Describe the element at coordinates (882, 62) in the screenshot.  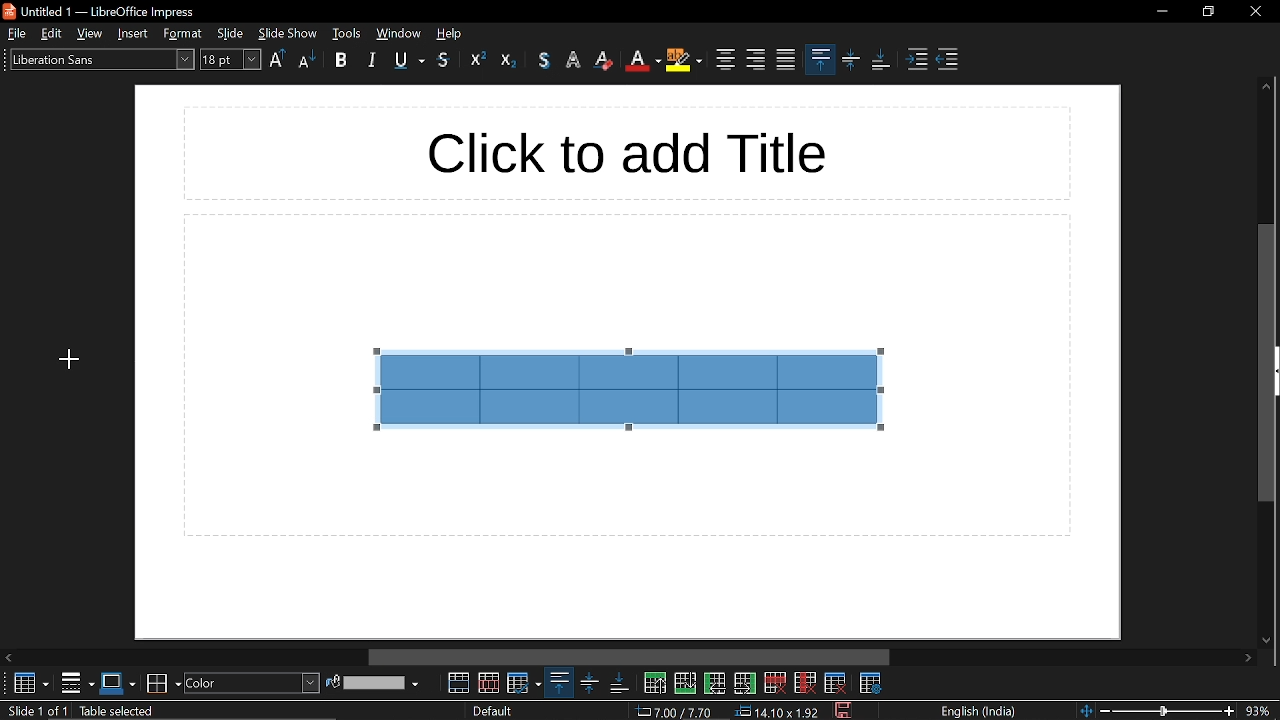
I see `align bottom` at that location.